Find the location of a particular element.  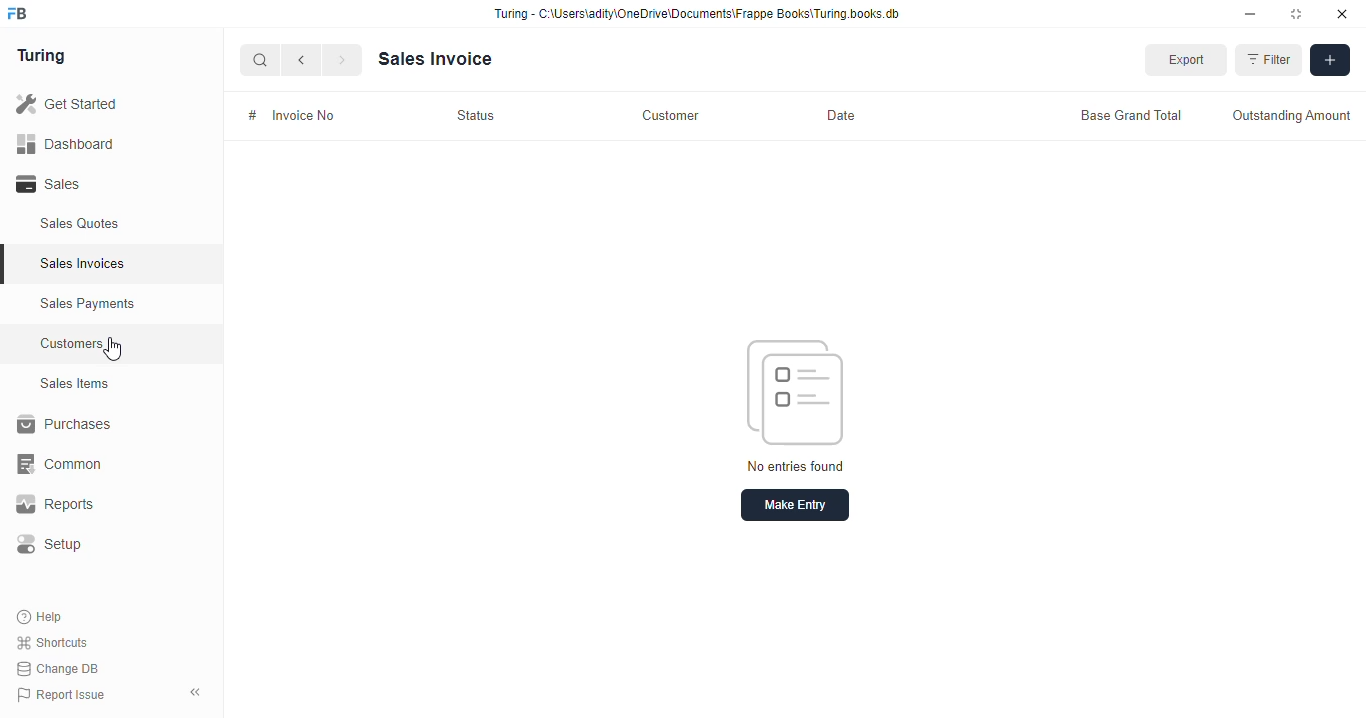

Sales Invoice is located at coordinates (442, 58).